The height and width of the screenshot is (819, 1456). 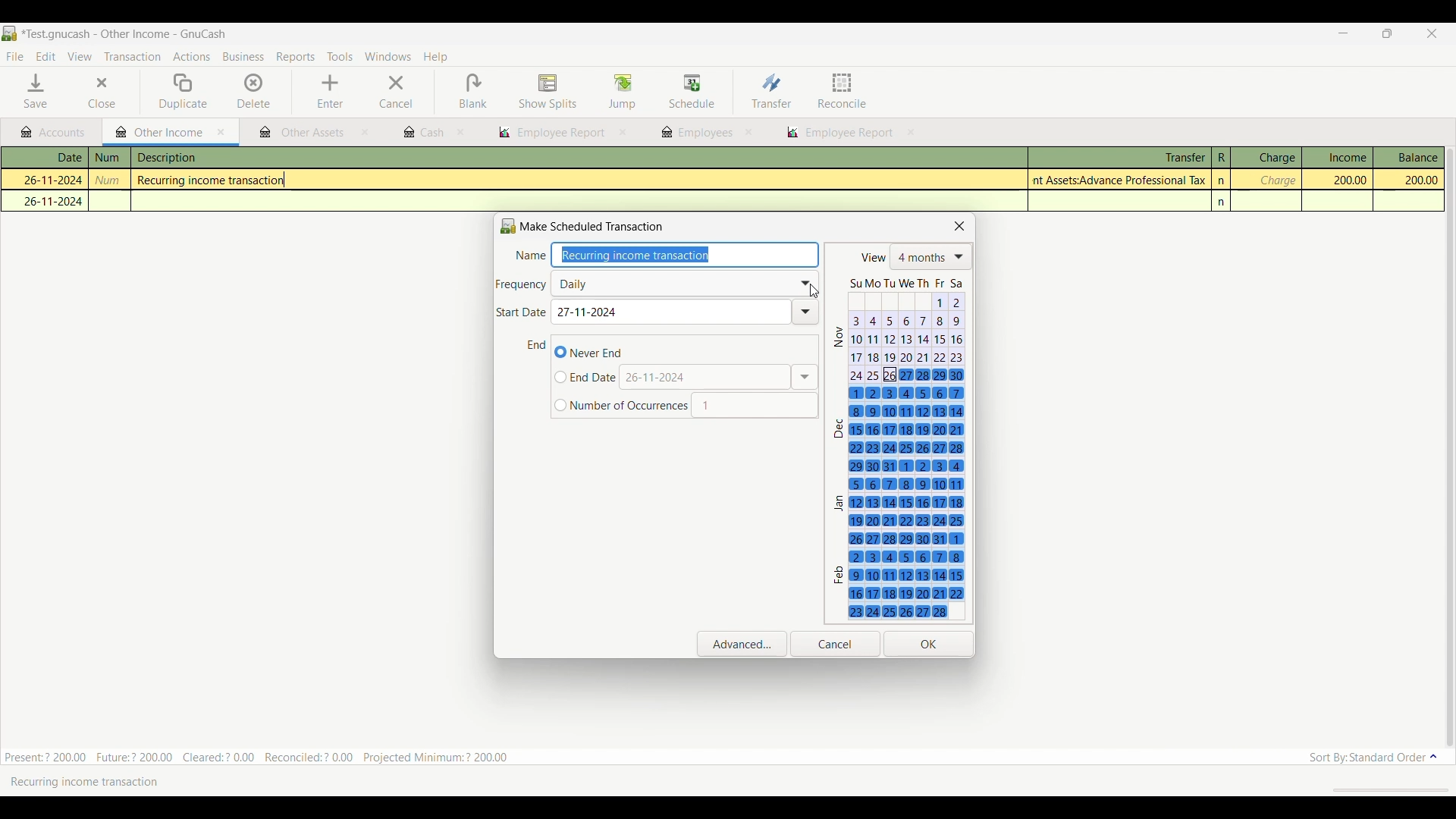 What do you see at coordinates (297, 57) in the screenshot?
I see `Reports menu` at bounding box center [297, 57].